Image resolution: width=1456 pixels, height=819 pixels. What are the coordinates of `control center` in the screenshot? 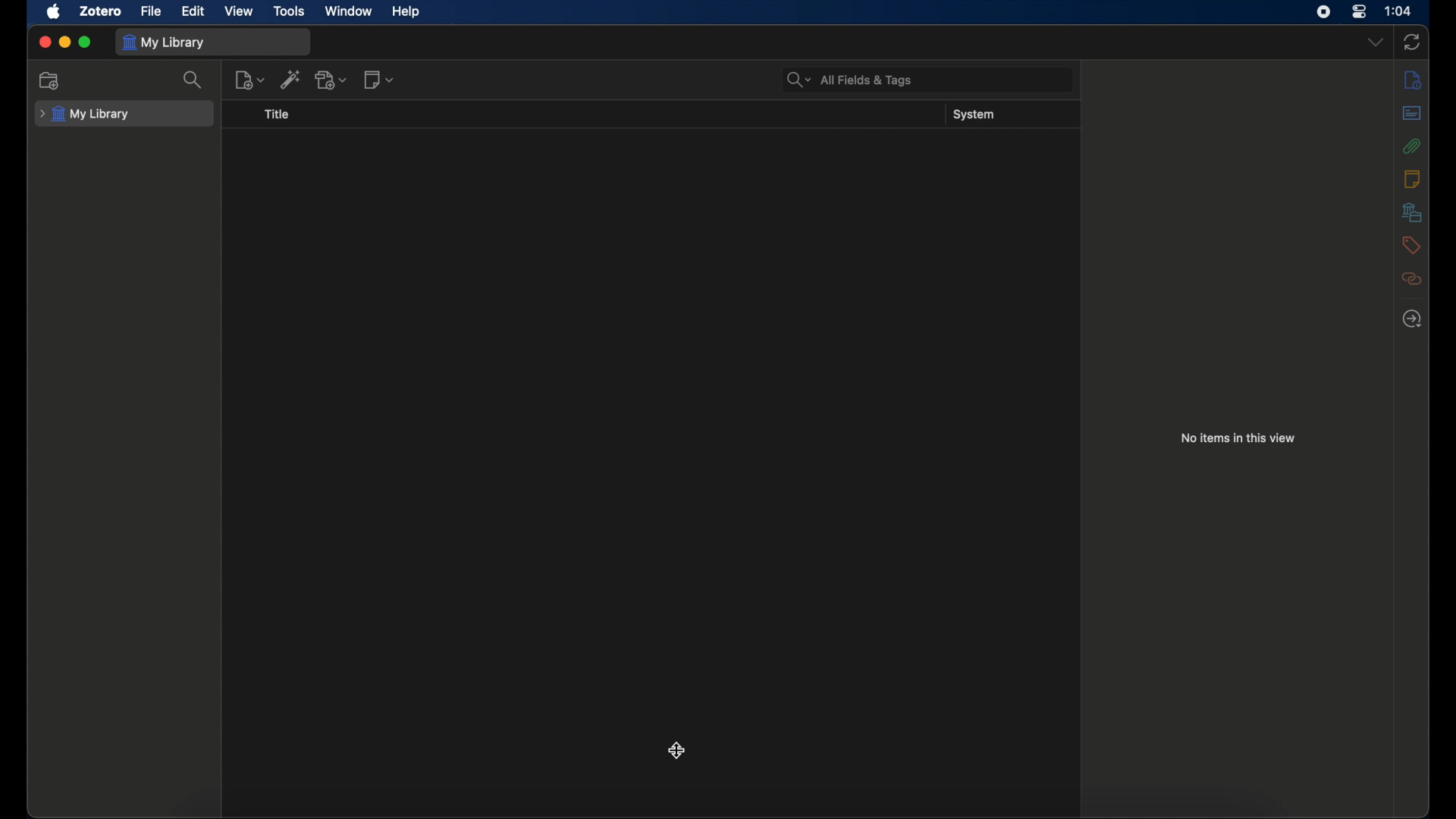 It's located at (1359, 11).